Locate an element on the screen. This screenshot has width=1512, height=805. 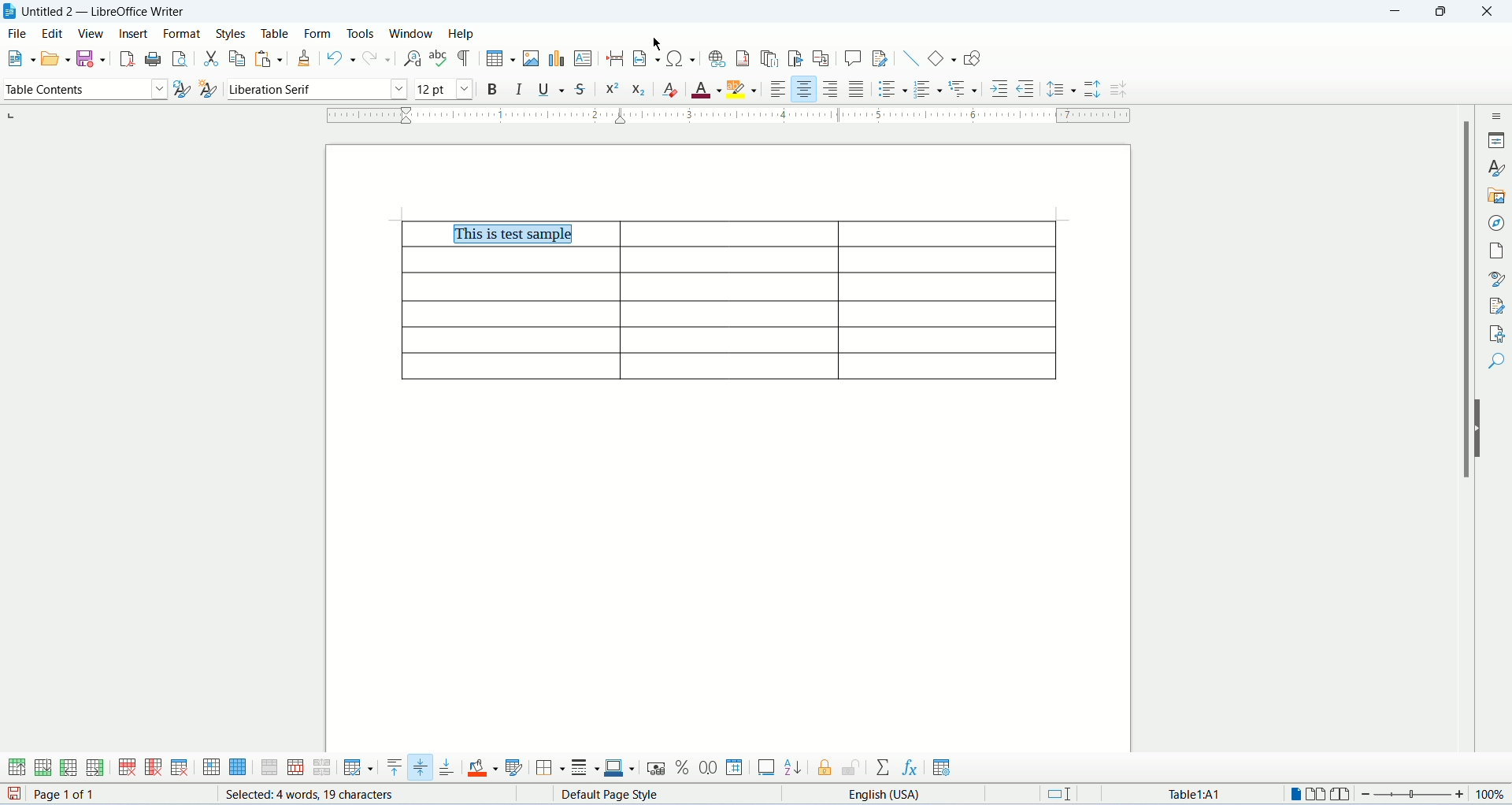
border color is located at coordinates (621, 770).